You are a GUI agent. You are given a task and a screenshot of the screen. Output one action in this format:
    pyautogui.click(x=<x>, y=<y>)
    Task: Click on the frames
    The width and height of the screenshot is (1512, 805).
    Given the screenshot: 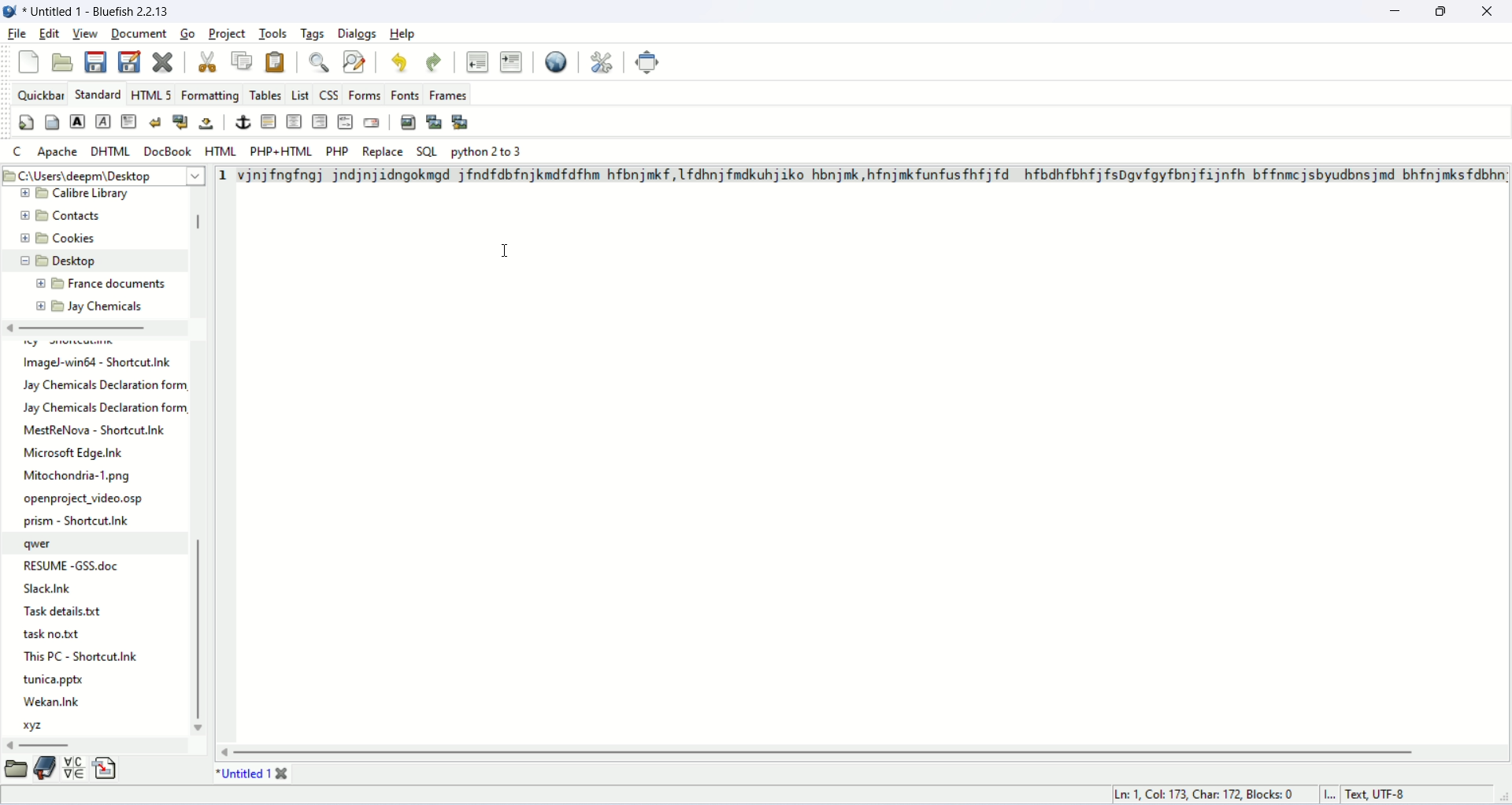 What is the action you would take?
    pyautogui.click(x=448, y=96)
    